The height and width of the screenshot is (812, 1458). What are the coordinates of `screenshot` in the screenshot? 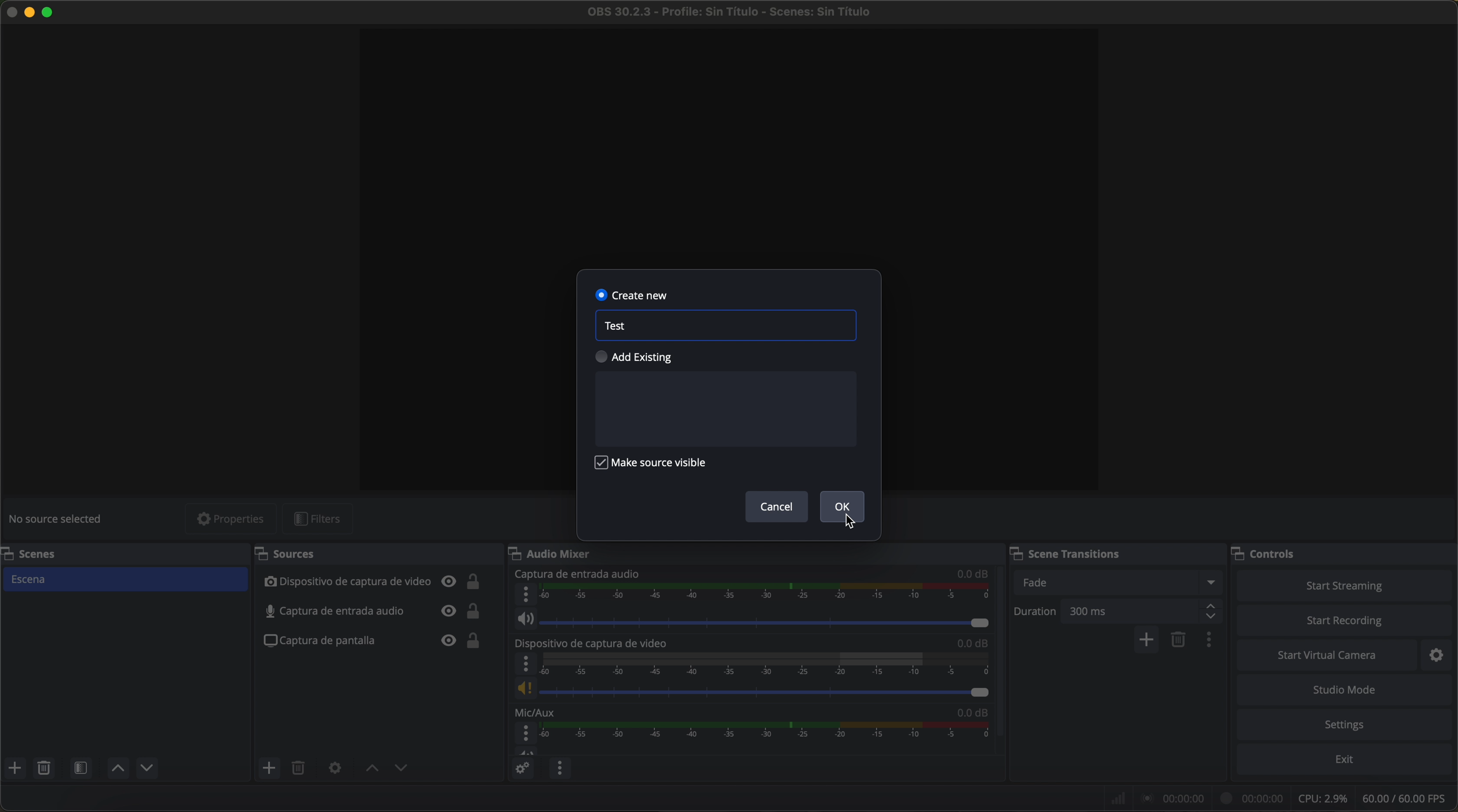 It's located at (371, 642).